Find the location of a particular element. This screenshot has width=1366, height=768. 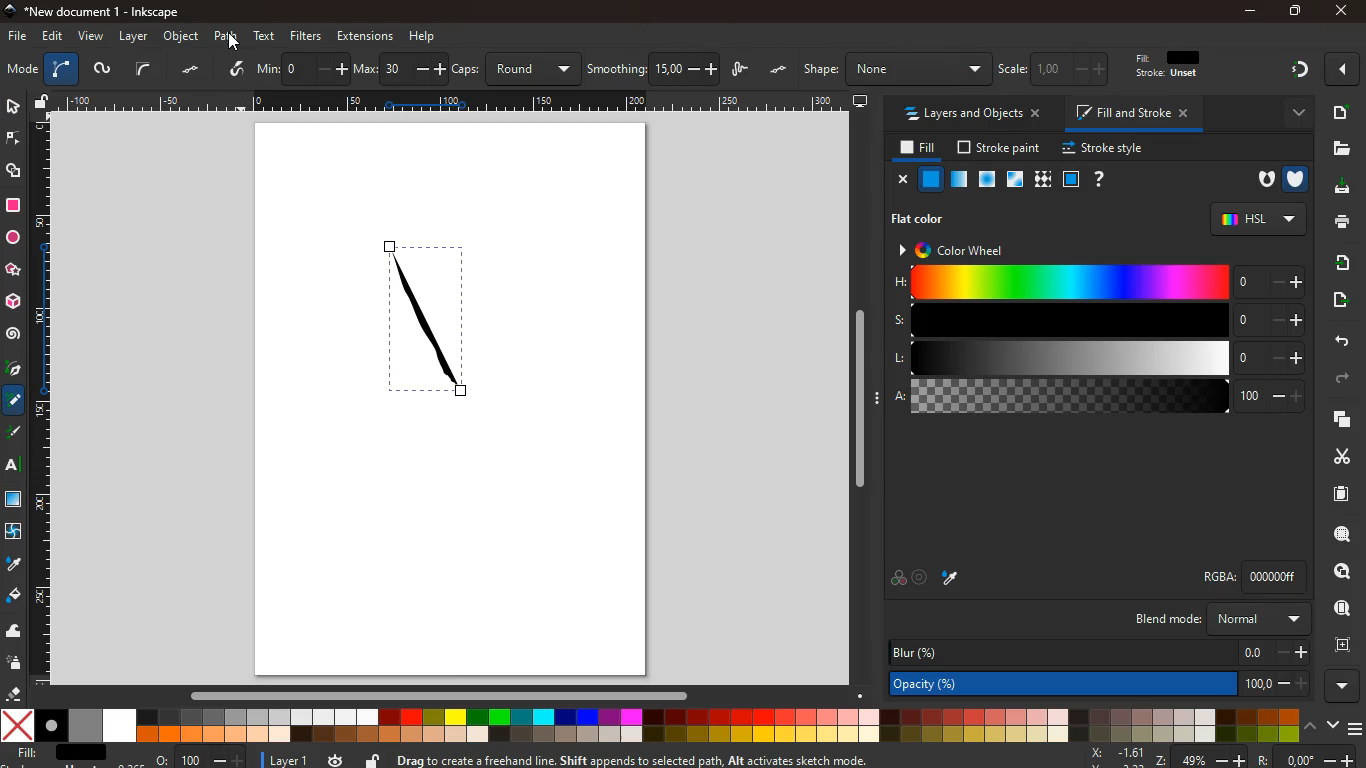

menu is located at coordinates (1357, 729).